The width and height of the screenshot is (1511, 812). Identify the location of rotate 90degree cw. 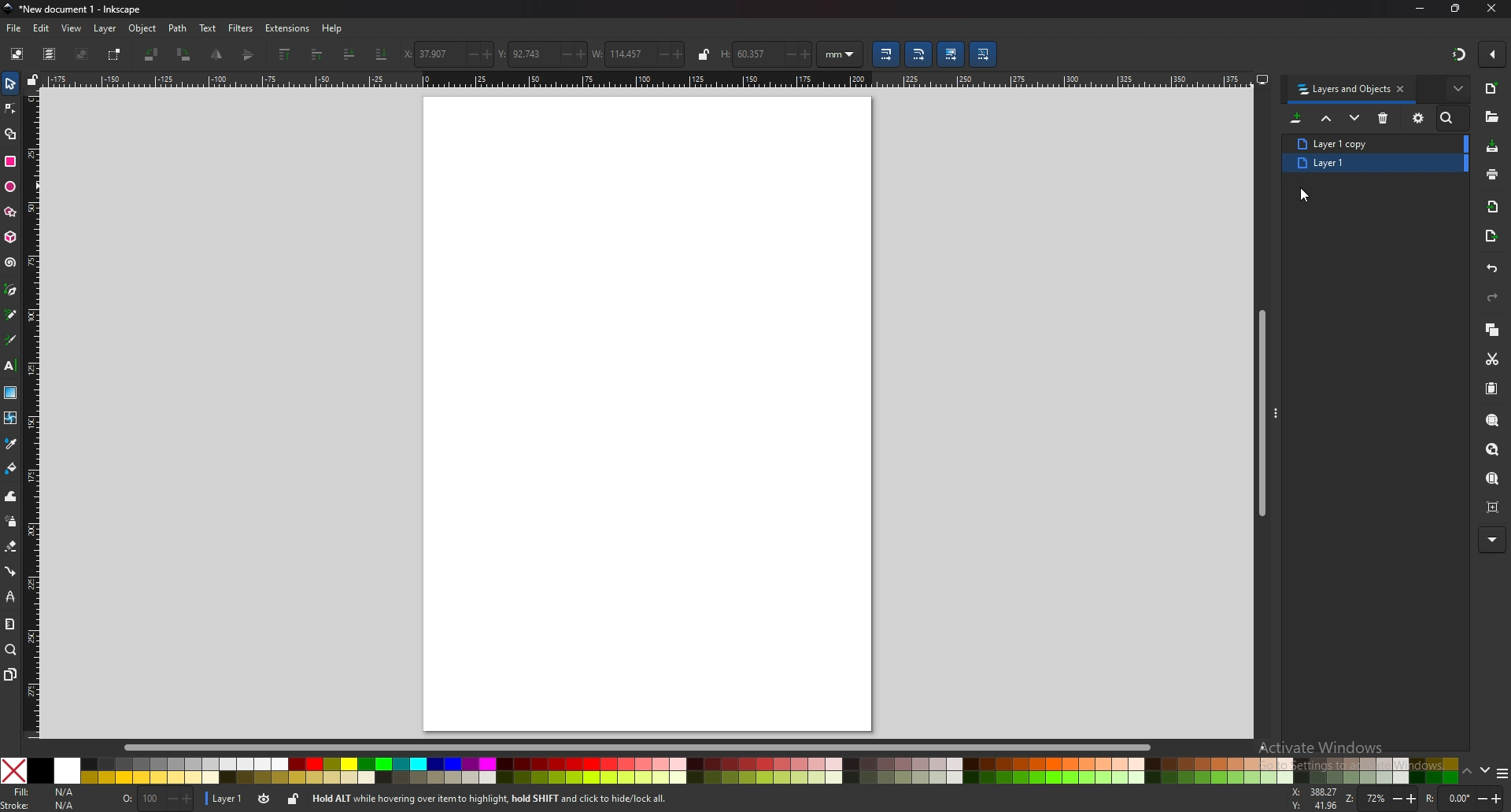
(185, 54).